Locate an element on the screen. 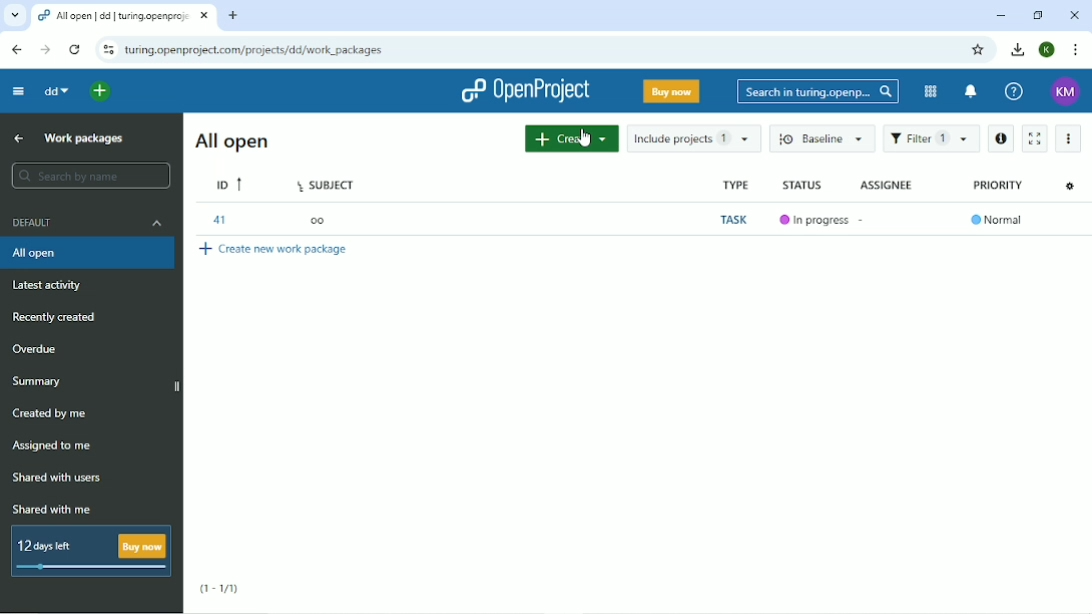 The height and width of the screenshot is (614, 1092). Site is located at coordinates (254, 50).